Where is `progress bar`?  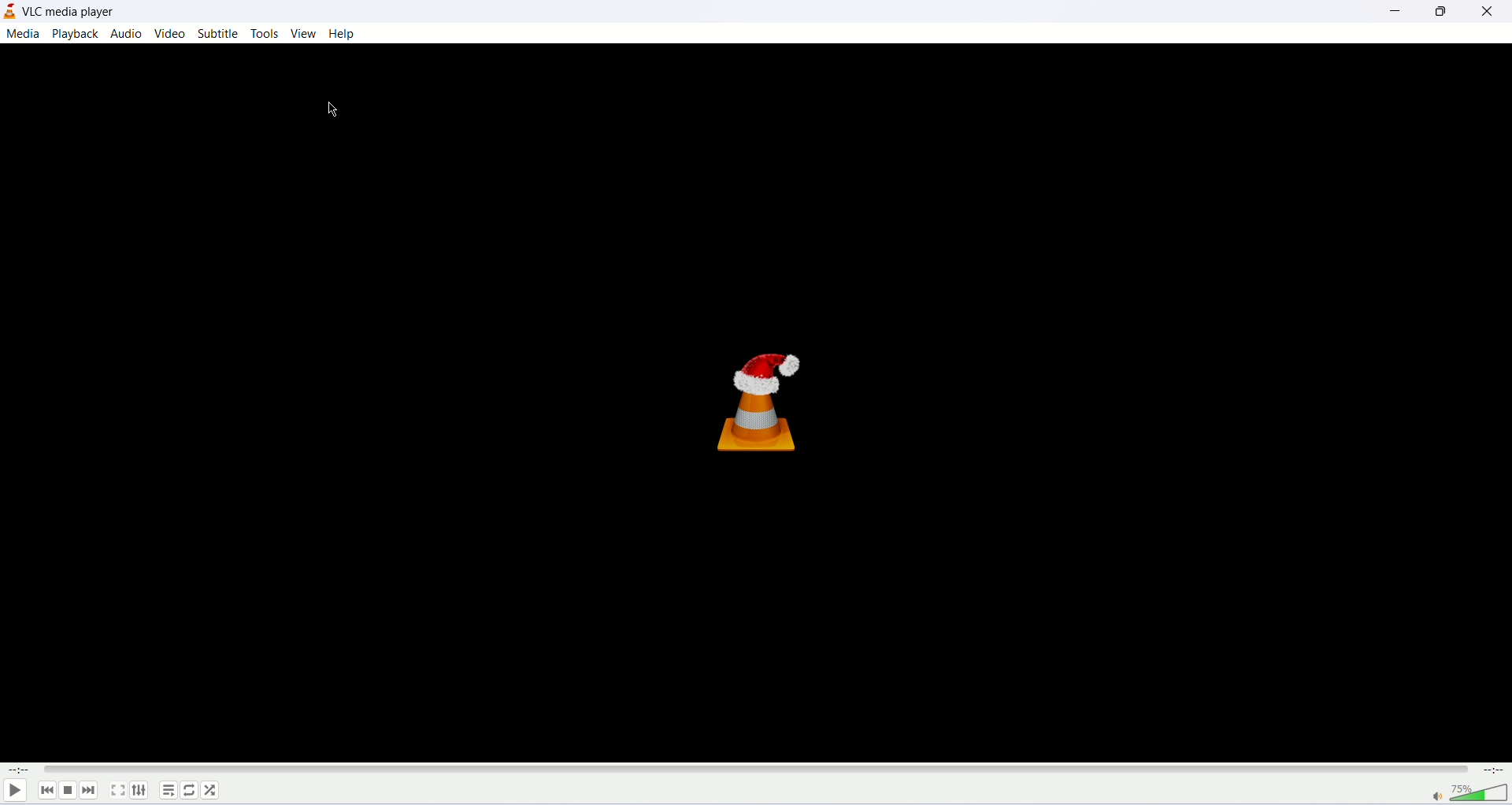 progress bar is located at coordinates (757, 769).